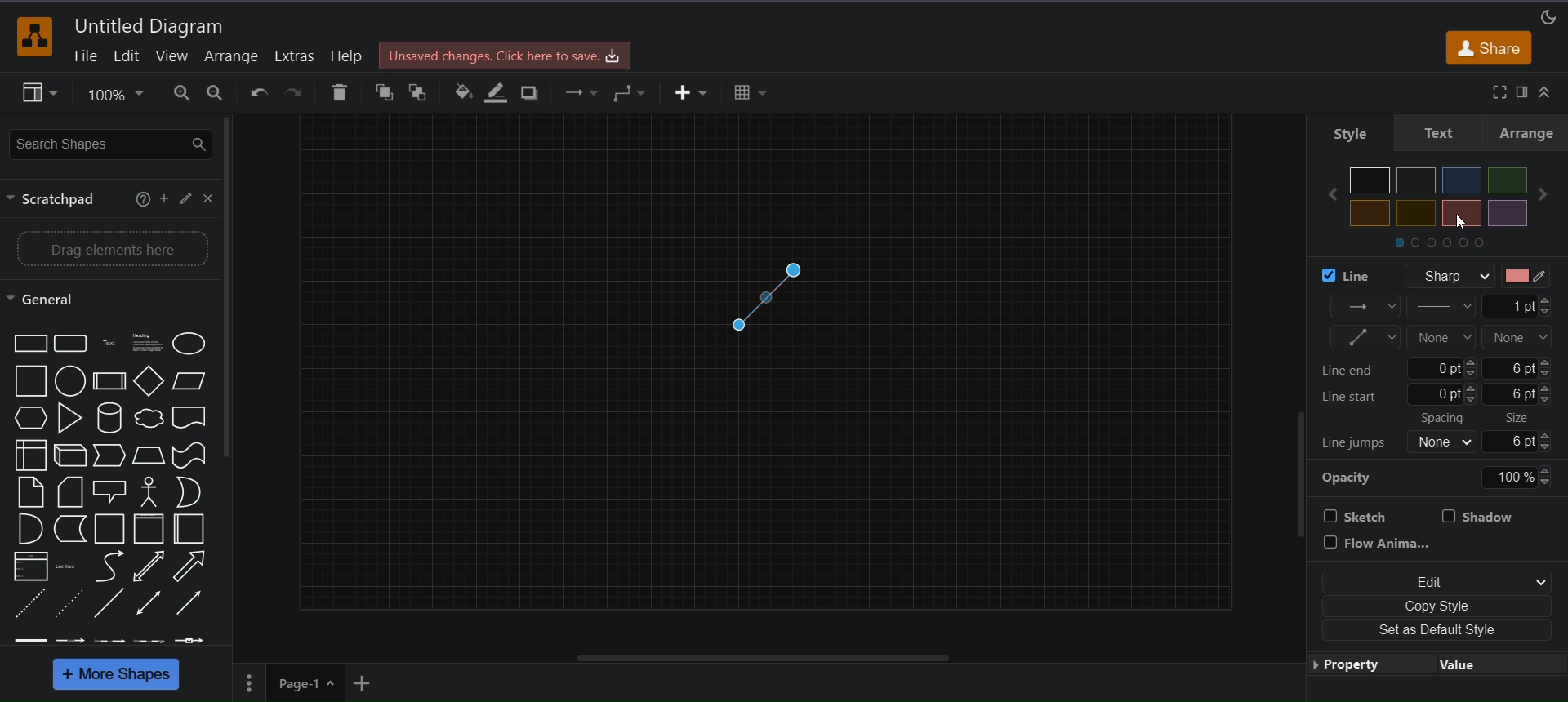 The width and height of the screenshot is (1568, 702). Describe the element at coordinates (464, 90) in the screenshot. I see `fill color` at that location.